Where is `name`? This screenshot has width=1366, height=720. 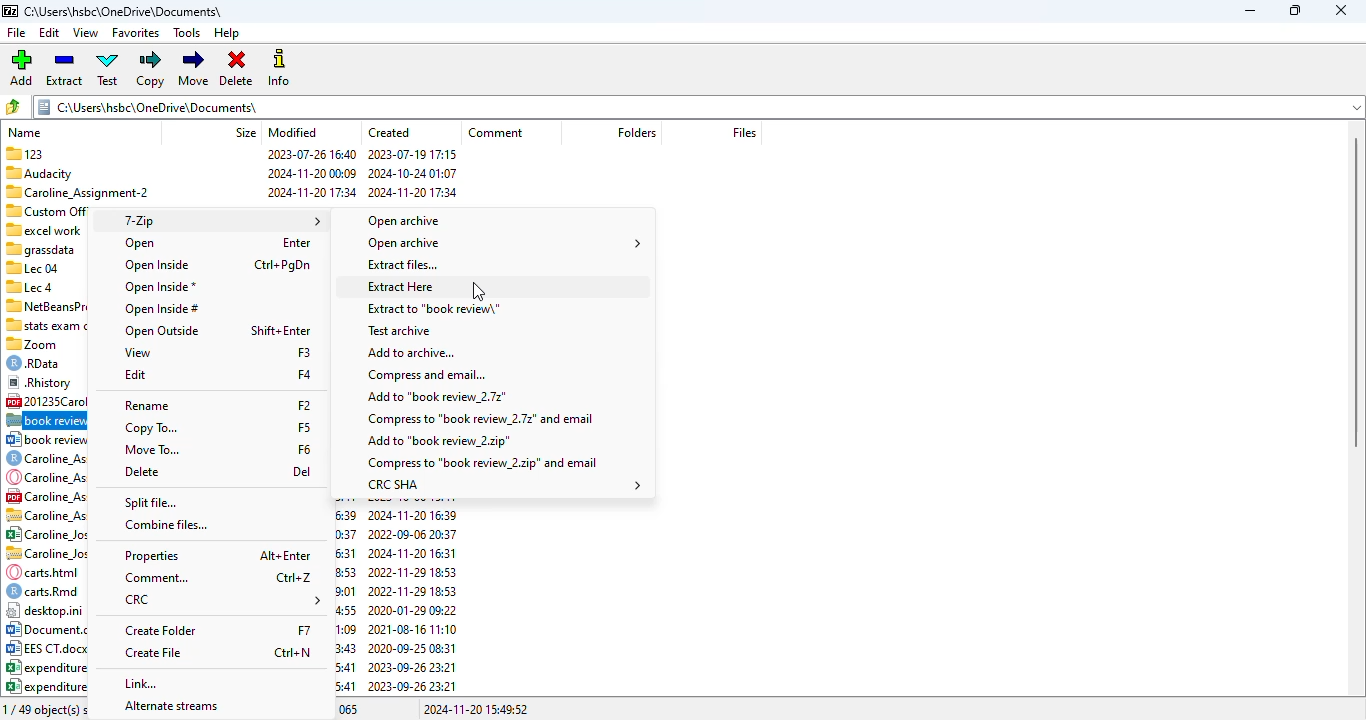 name is located at coordinates (26, 129).